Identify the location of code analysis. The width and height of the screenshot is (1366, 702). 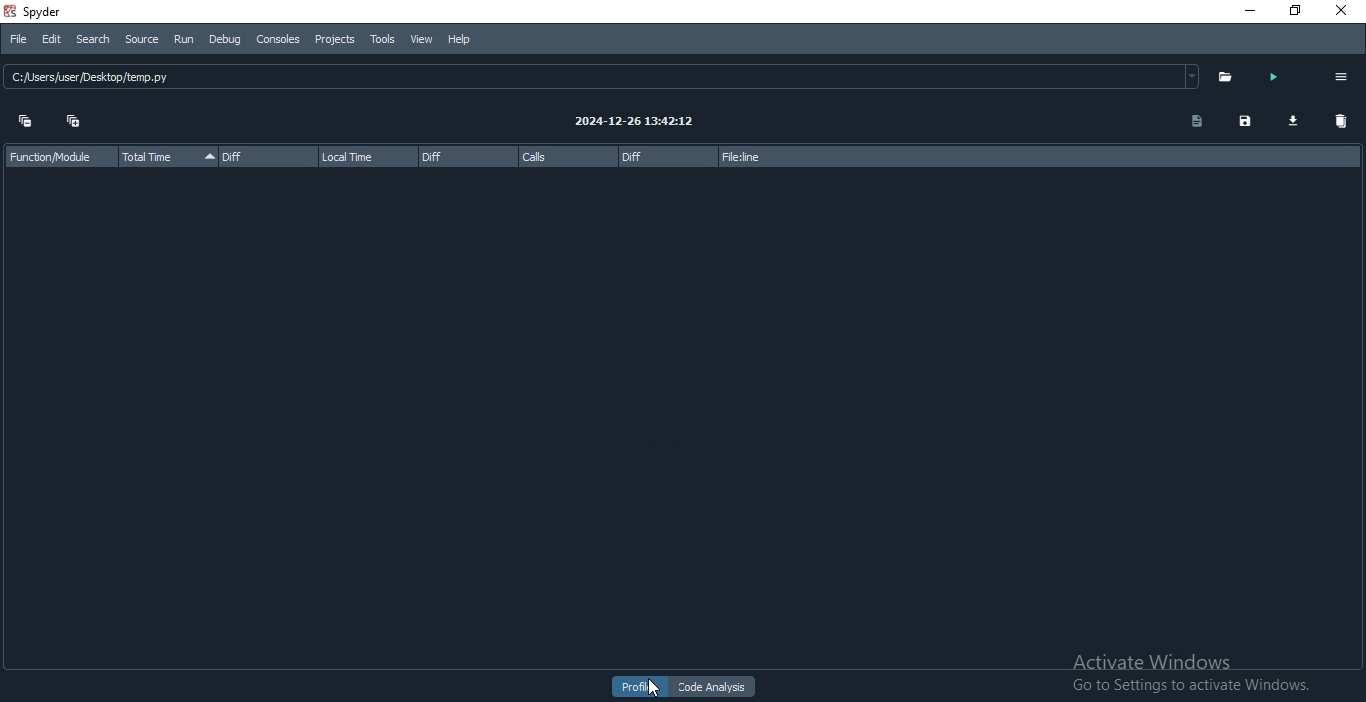
(714, 687).